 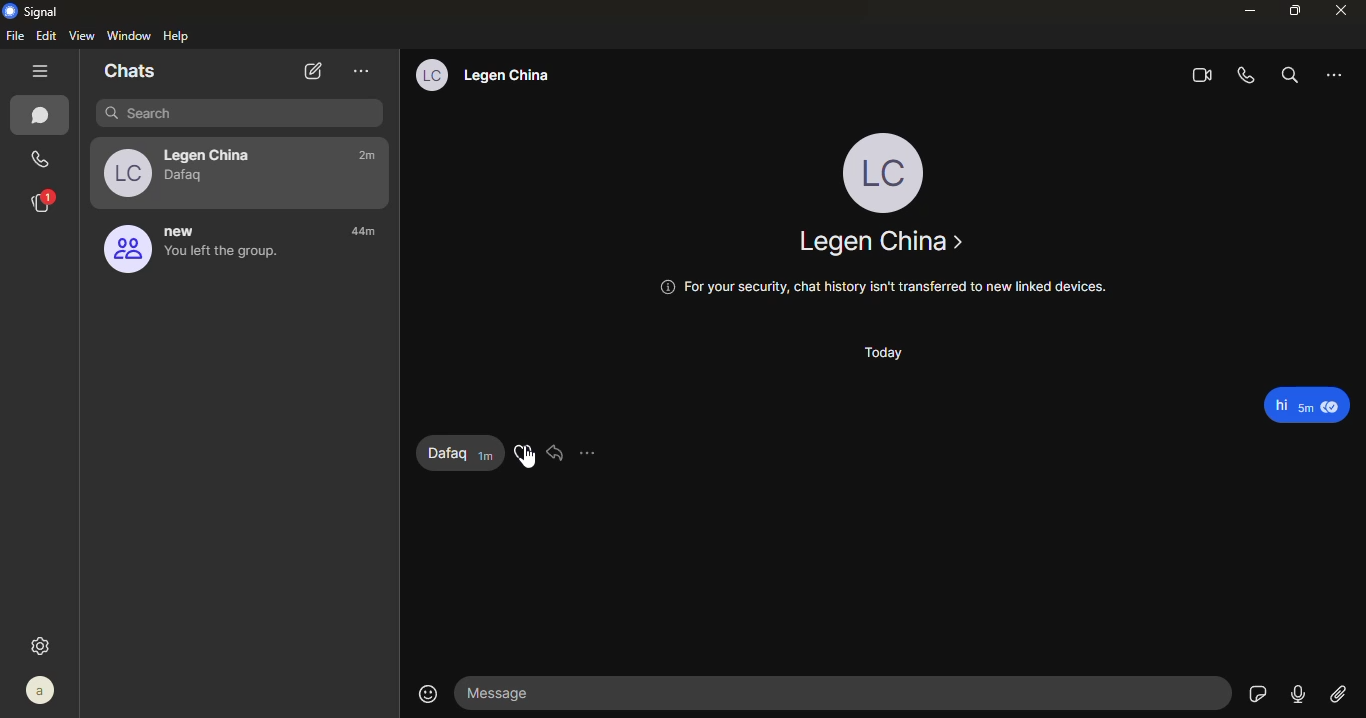 I want to click on Legan china, so click(x=517, y=76).